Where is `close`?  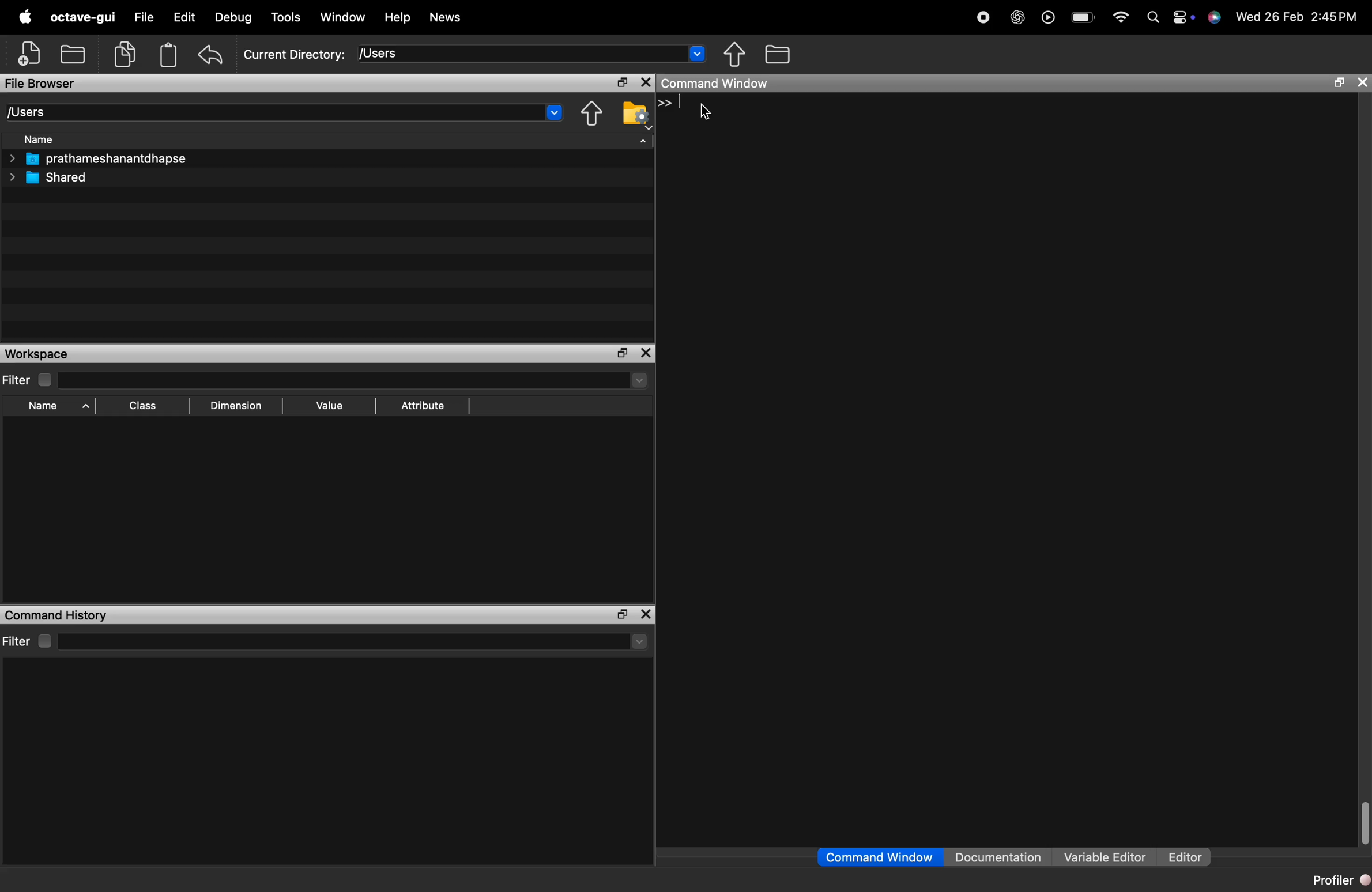
close is located at coordinates (1363, 83).